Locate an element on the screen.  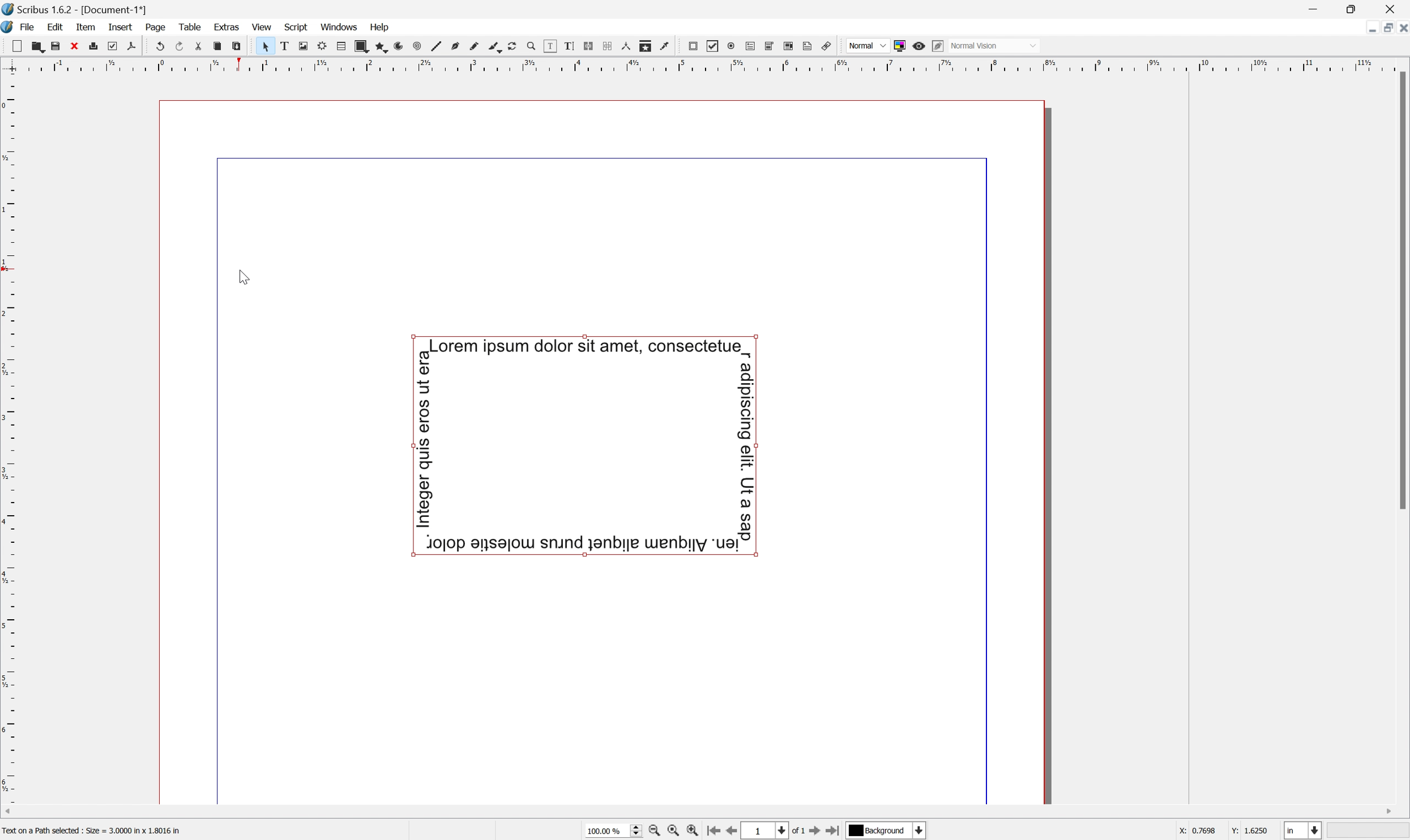
Windows is located at coordinates (342, 28).